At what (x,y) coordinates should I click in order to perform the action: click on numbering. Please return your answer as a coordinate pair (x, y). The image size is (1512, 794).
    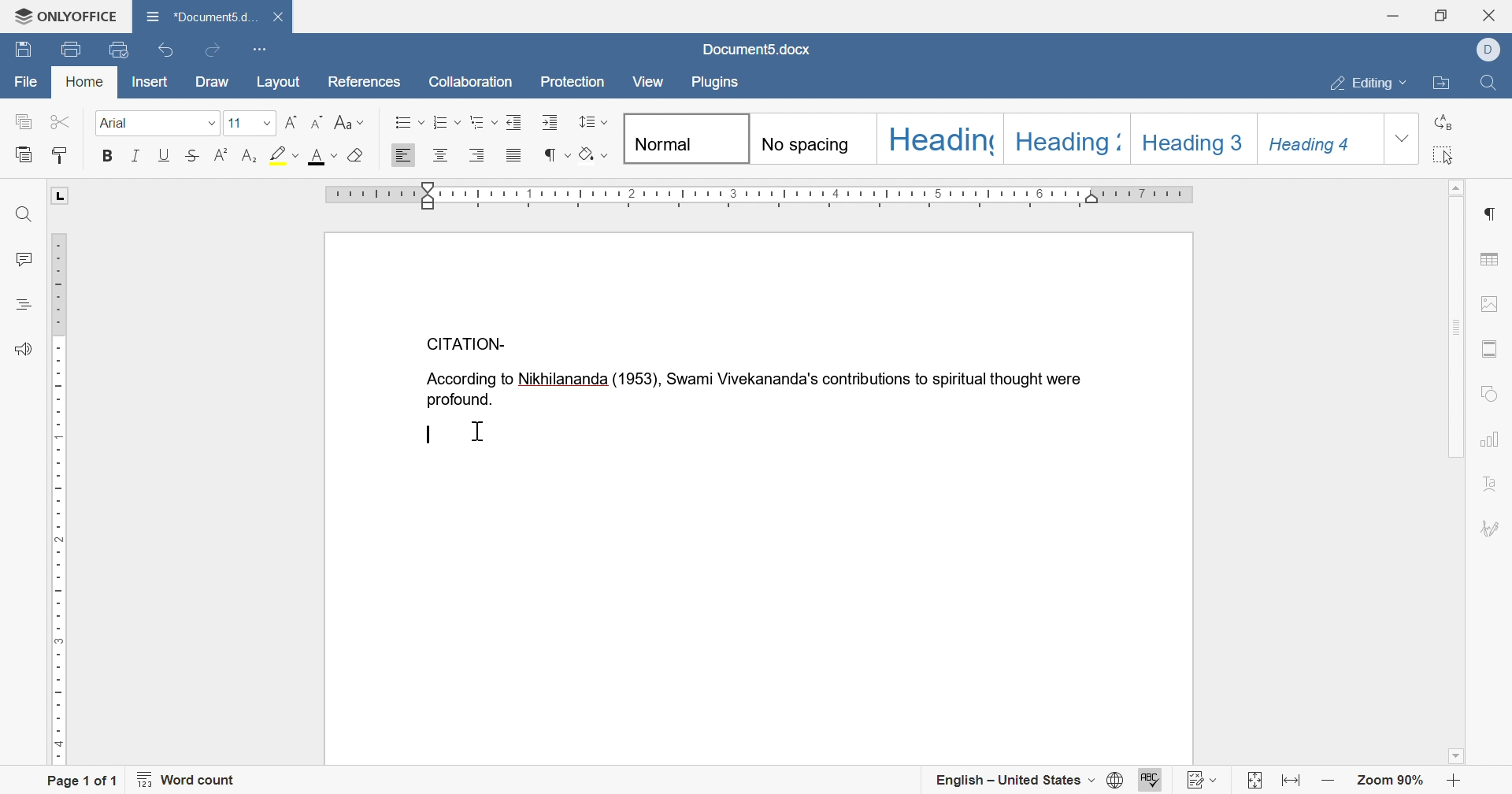
    Looking at the image, I should click on (447, 121).